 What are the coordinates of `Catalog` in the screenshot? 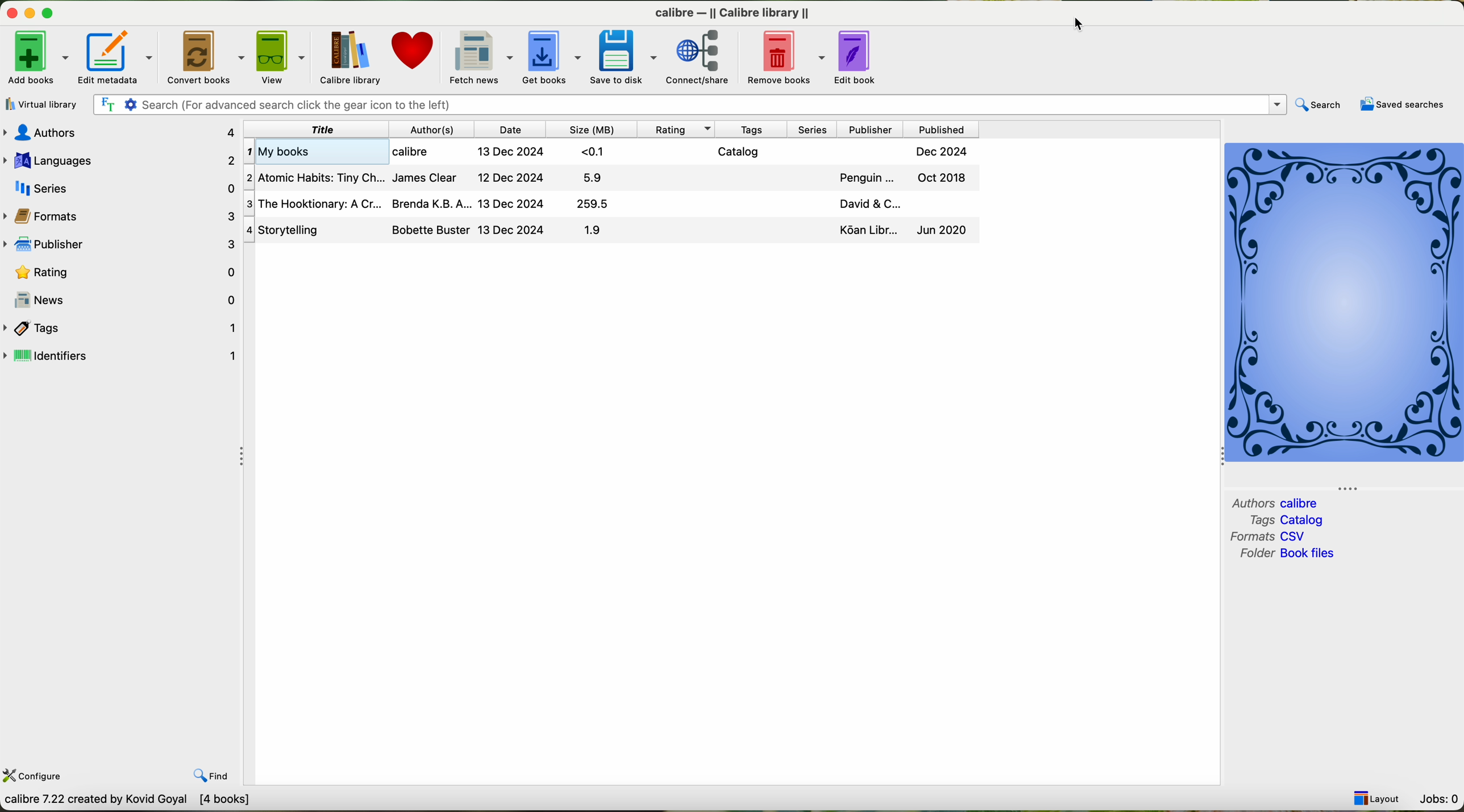 It's located at (1303, 520).